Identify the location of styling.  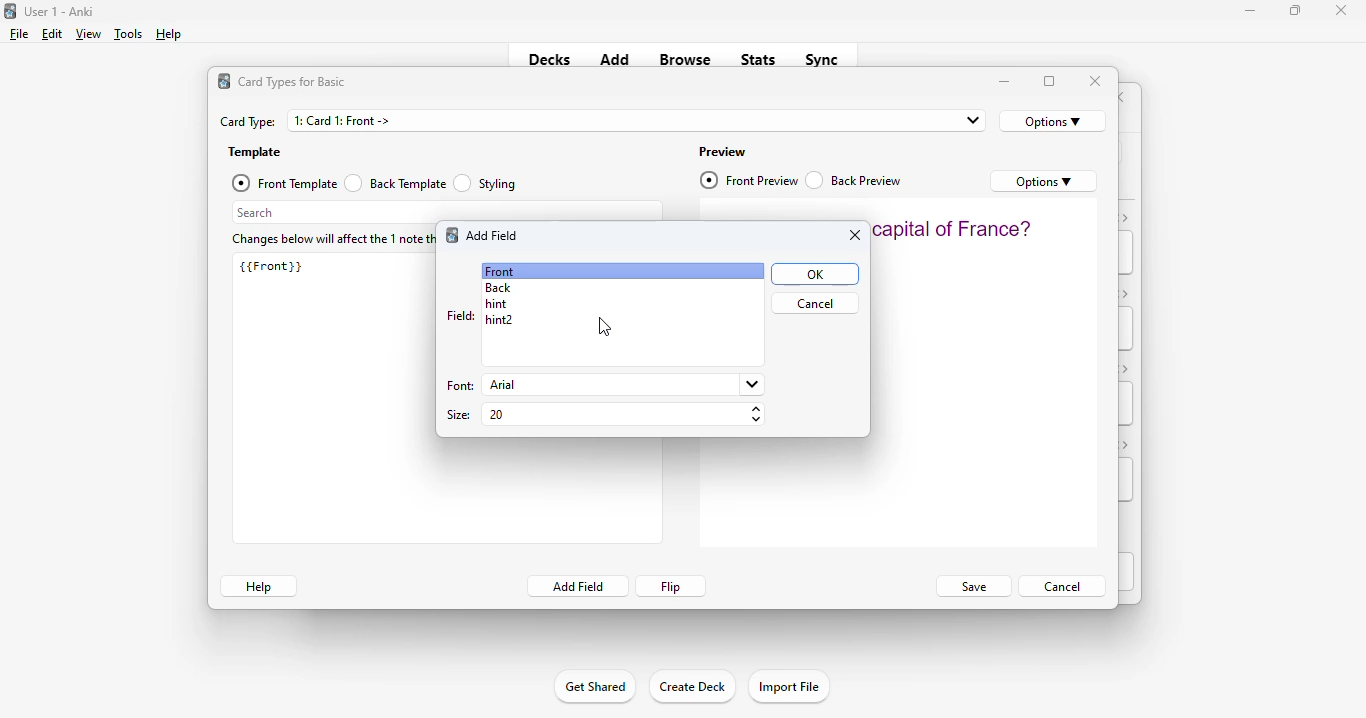
(486, 182).